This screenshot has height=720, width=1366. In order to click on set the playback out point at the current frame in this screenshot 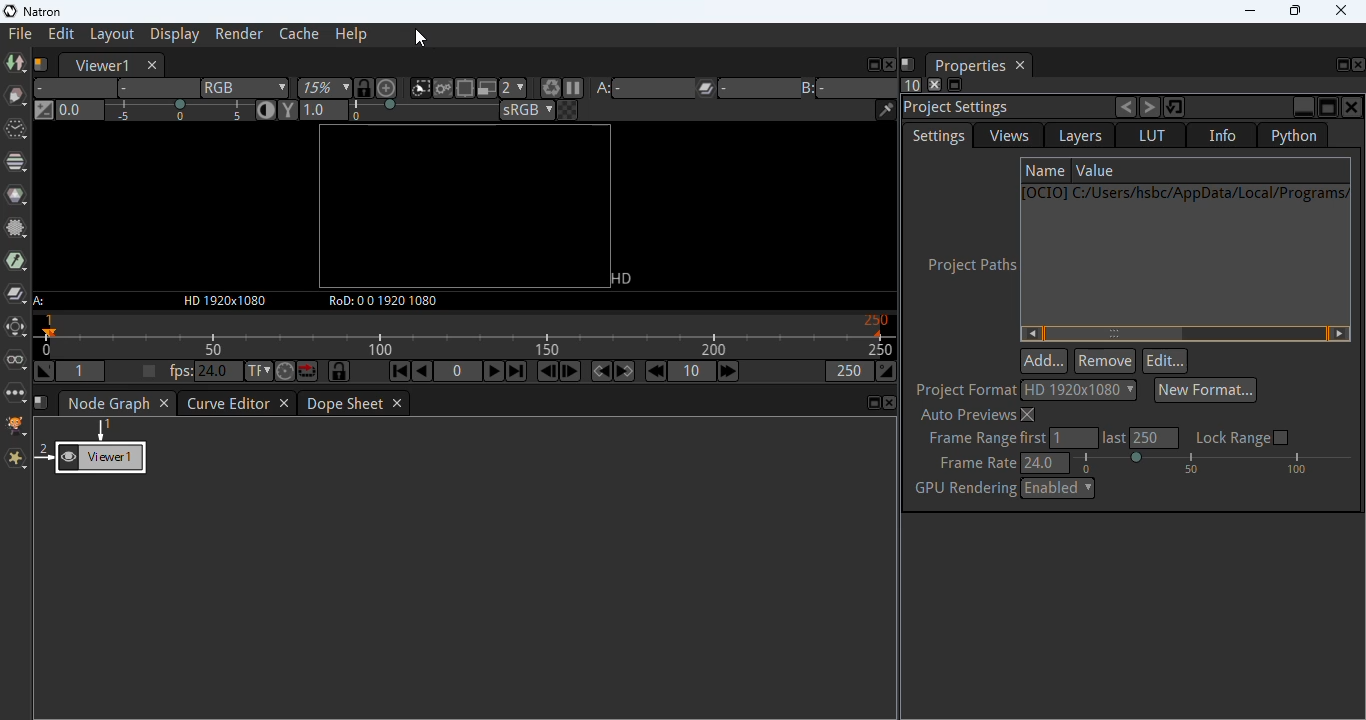, I will do `click(888, 371)`.